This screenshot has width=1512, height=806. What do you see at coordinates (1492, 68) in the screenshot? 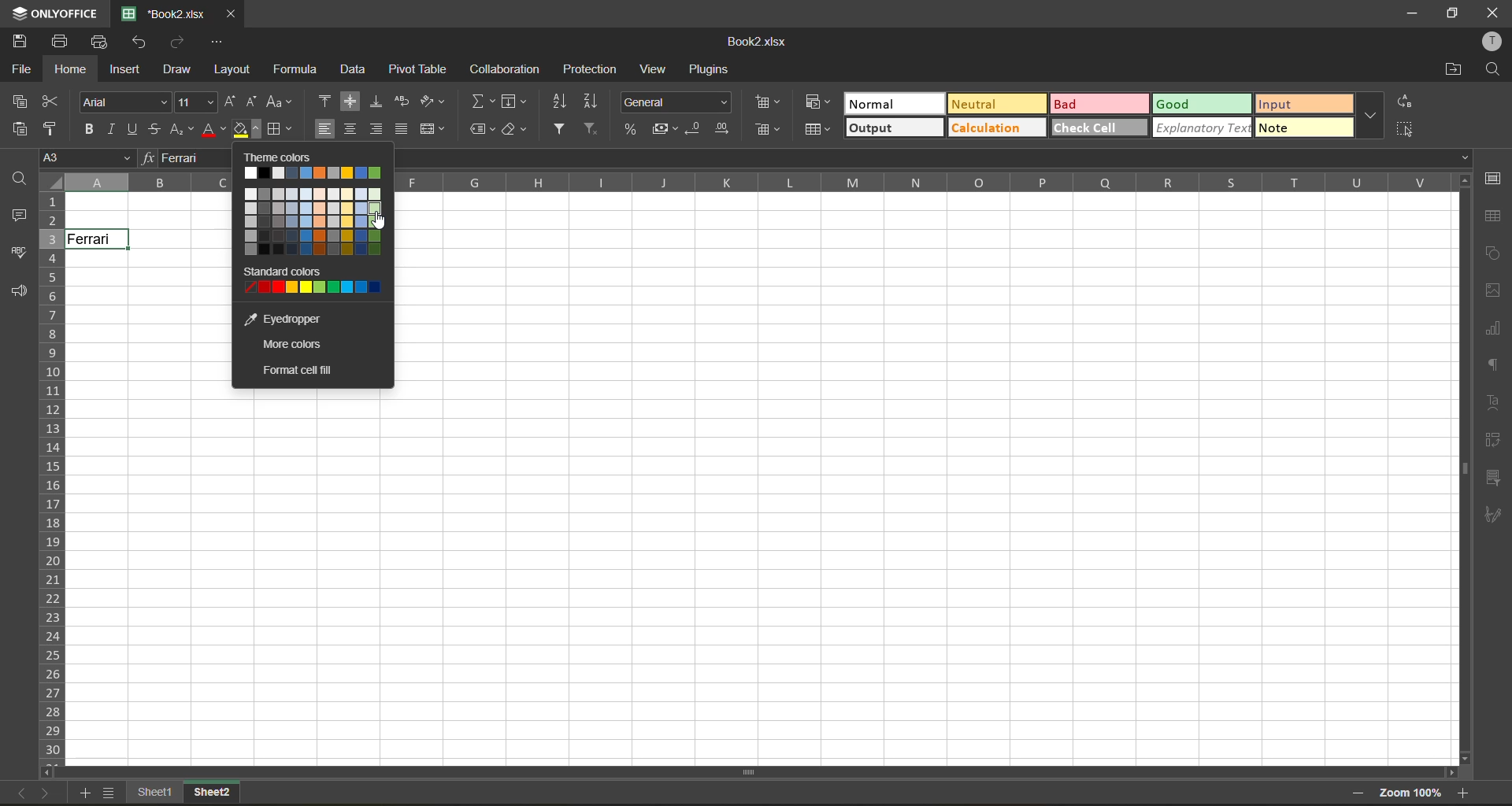
I see `find` at bounding box center [1492, 68].